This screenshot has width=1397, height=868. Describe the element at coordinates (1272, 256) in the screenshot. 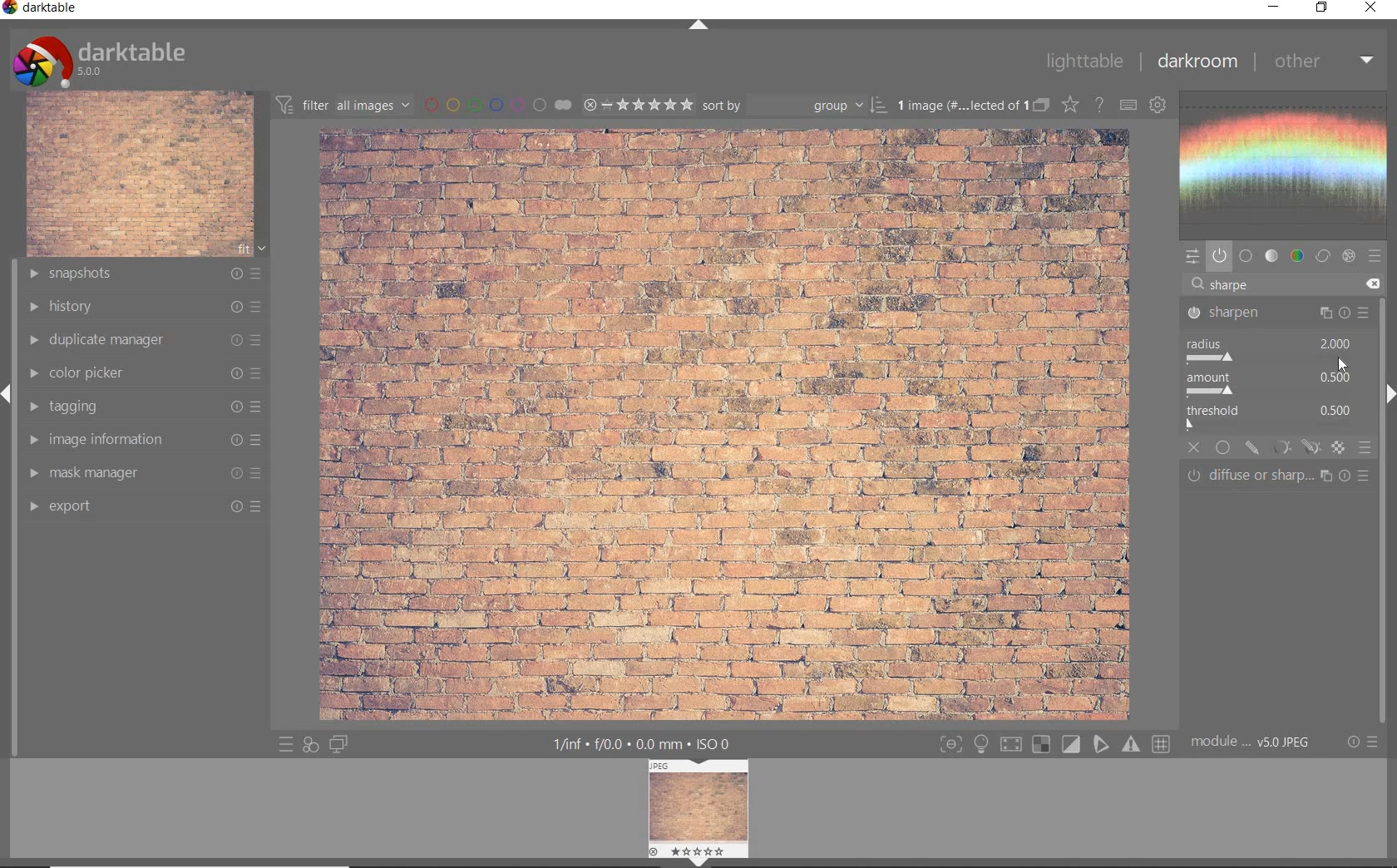

I see `tone ` at that location.